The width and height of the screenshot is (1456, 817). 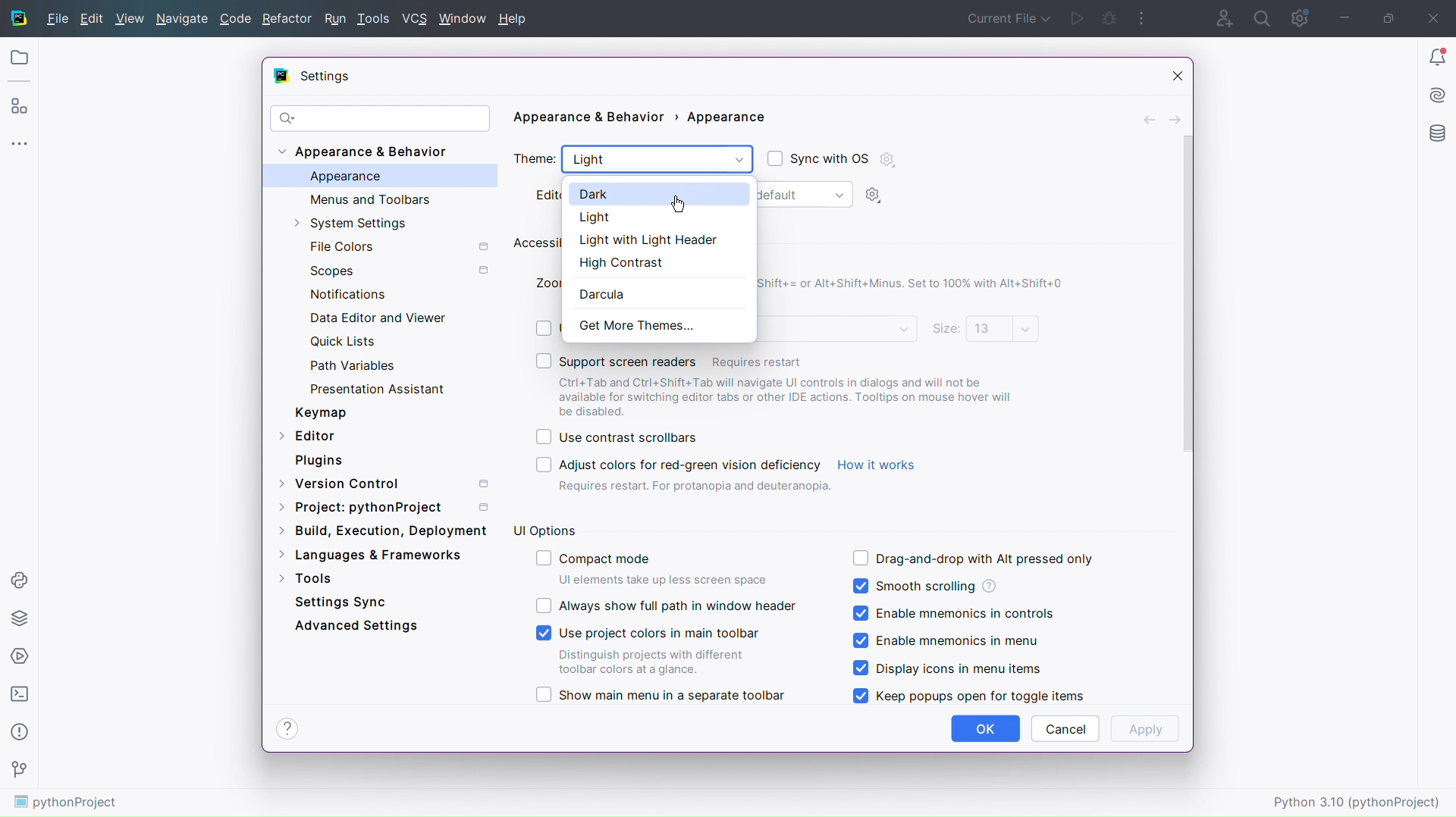 I want to click on Path Variables, so click(x=356, y=365).